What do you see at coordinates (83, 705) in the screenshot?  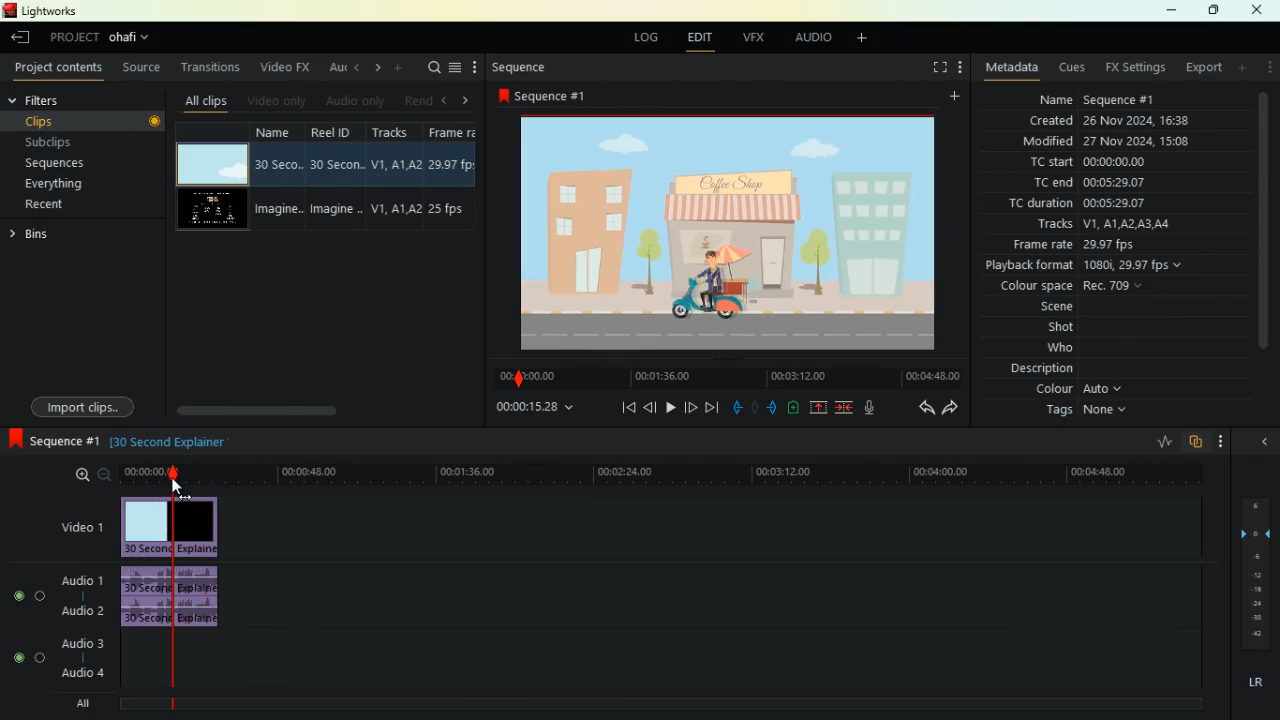 I see `All` at bounding box center [83, 705].